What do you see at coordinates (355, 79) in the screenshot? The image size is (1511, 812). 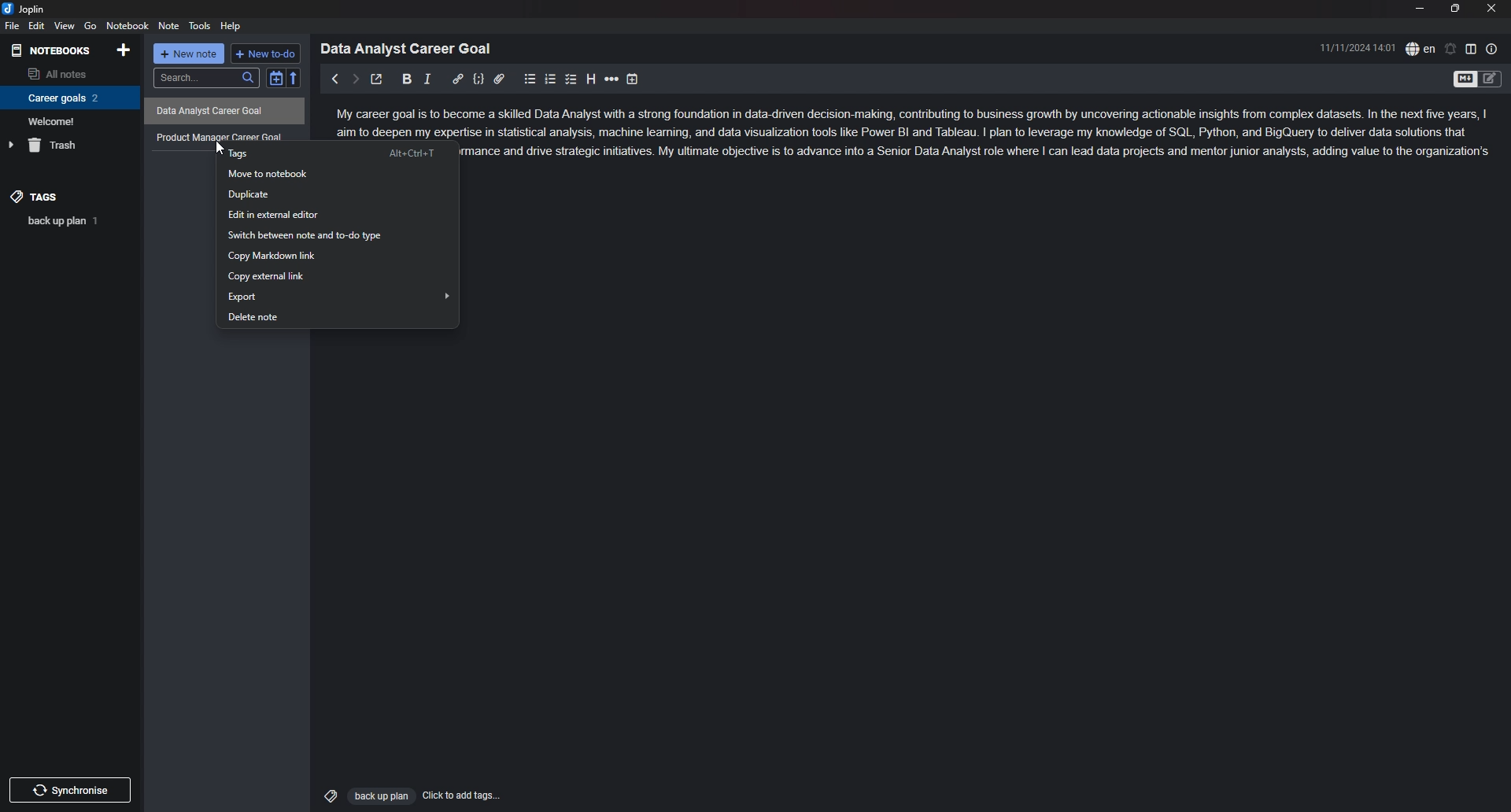 I see `next` at bounding box center [355, 79].